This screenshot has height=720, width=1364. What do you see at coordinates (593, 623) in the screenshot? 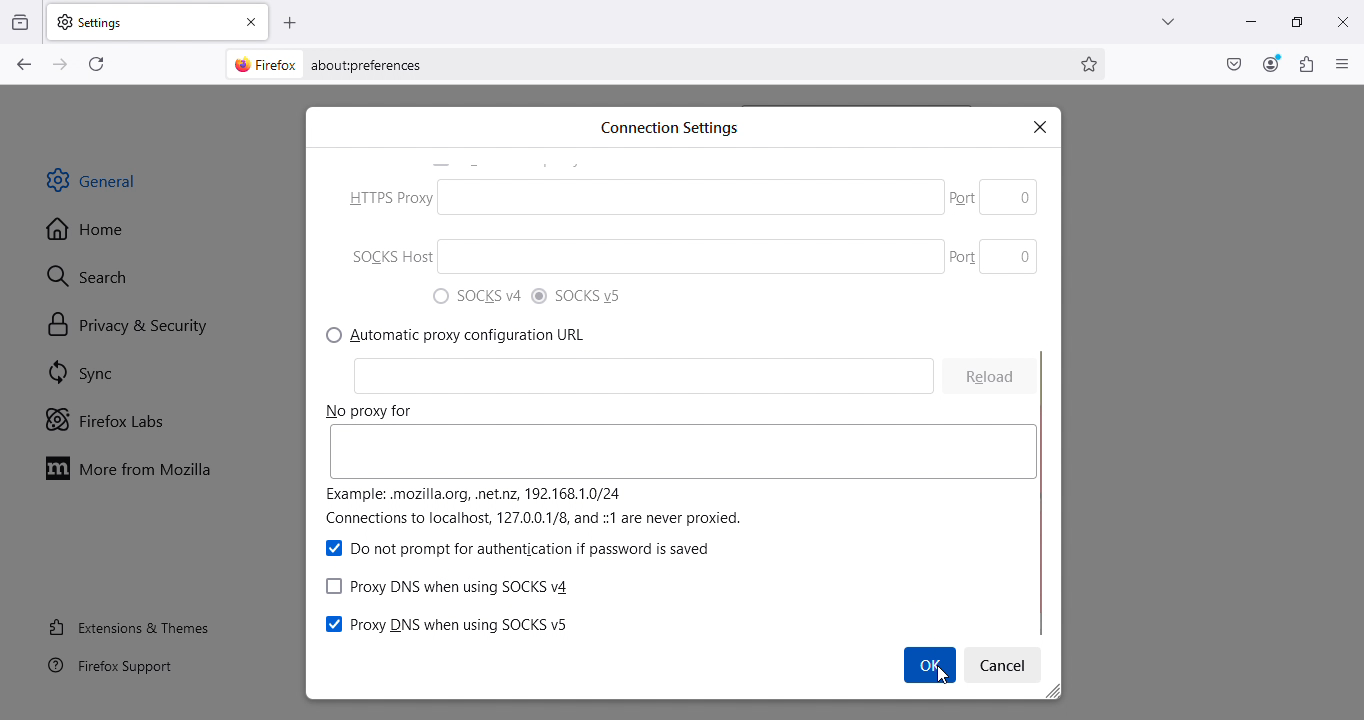
I see `(Configure how Firefox connects to the internet` at bounding box center [593, 623].